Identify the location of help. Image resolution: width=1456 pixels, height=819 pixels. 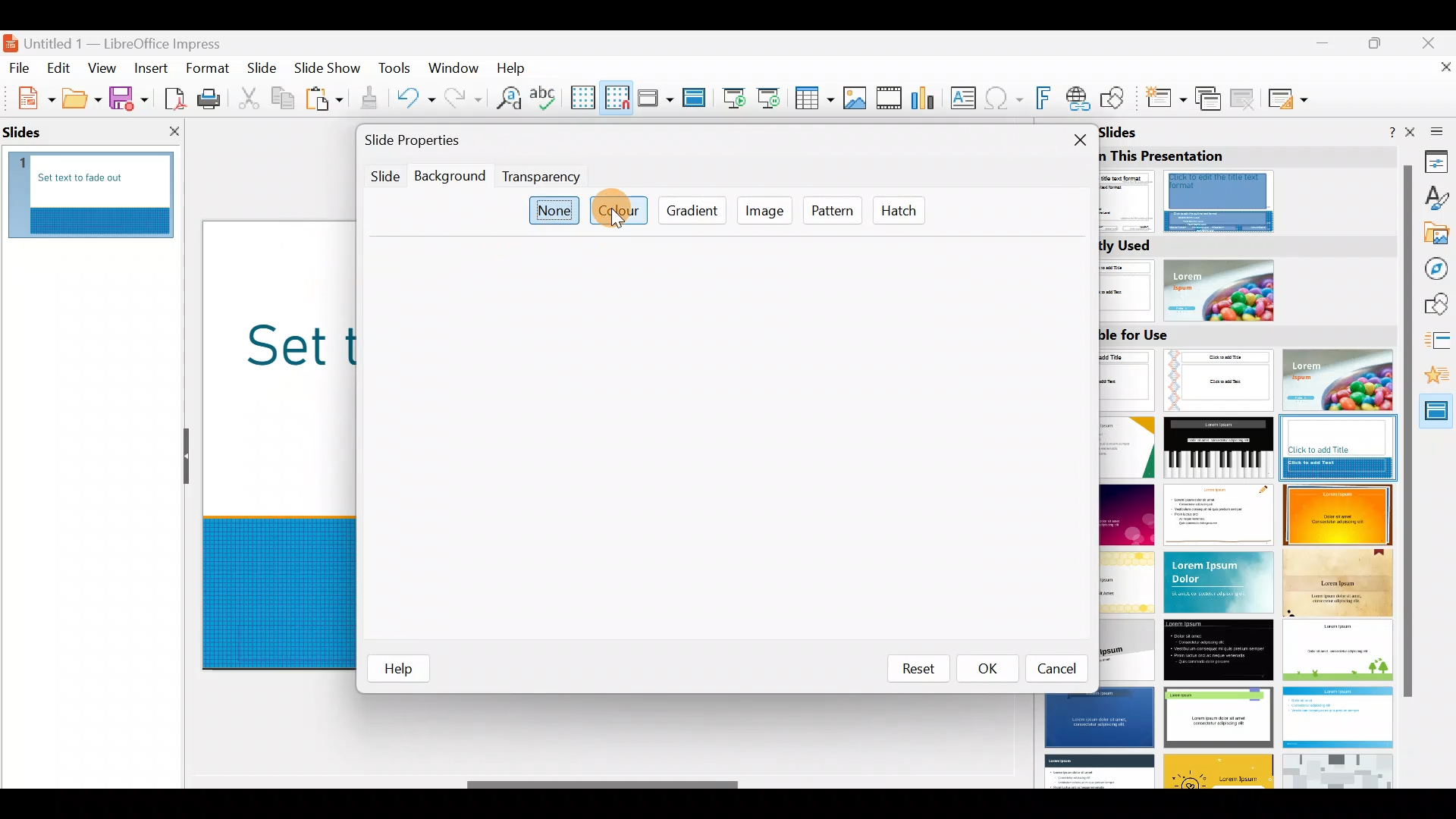
(400, 667).